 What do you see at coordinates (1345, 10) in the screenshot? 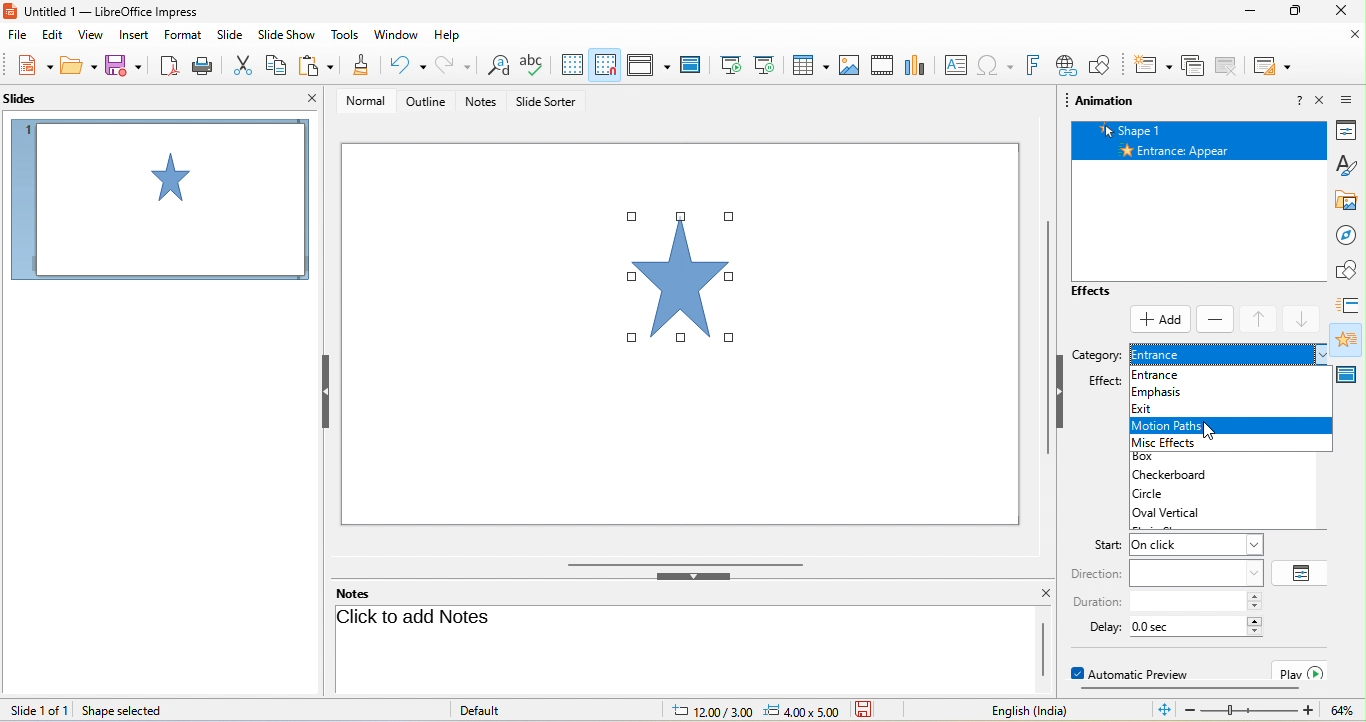
I see `close` at bounding box center [1345, 10].